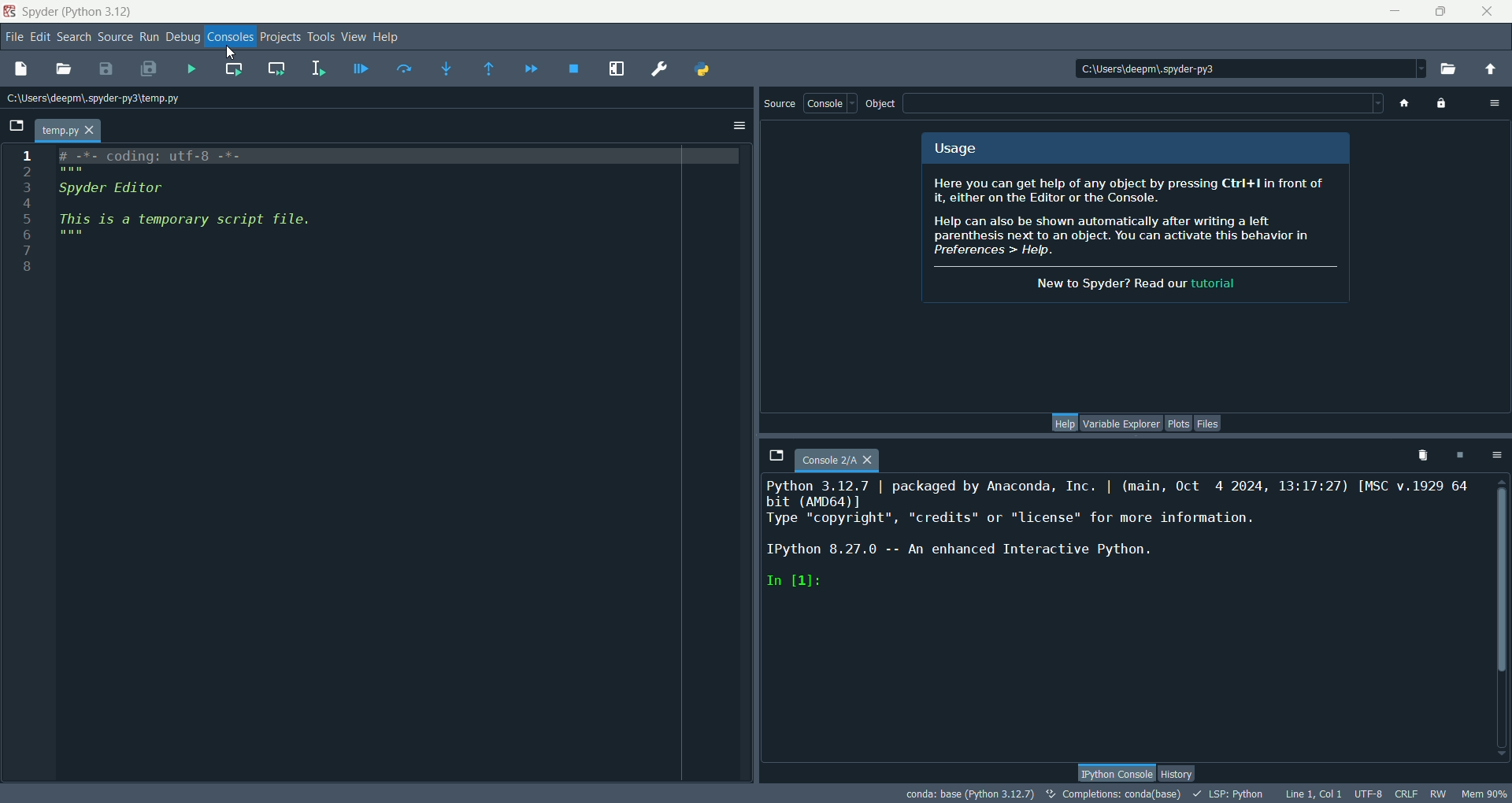  What do you see at coordinates (1208, 424) in the screenshot?
I see `files` at bounding box center [1208, 424].